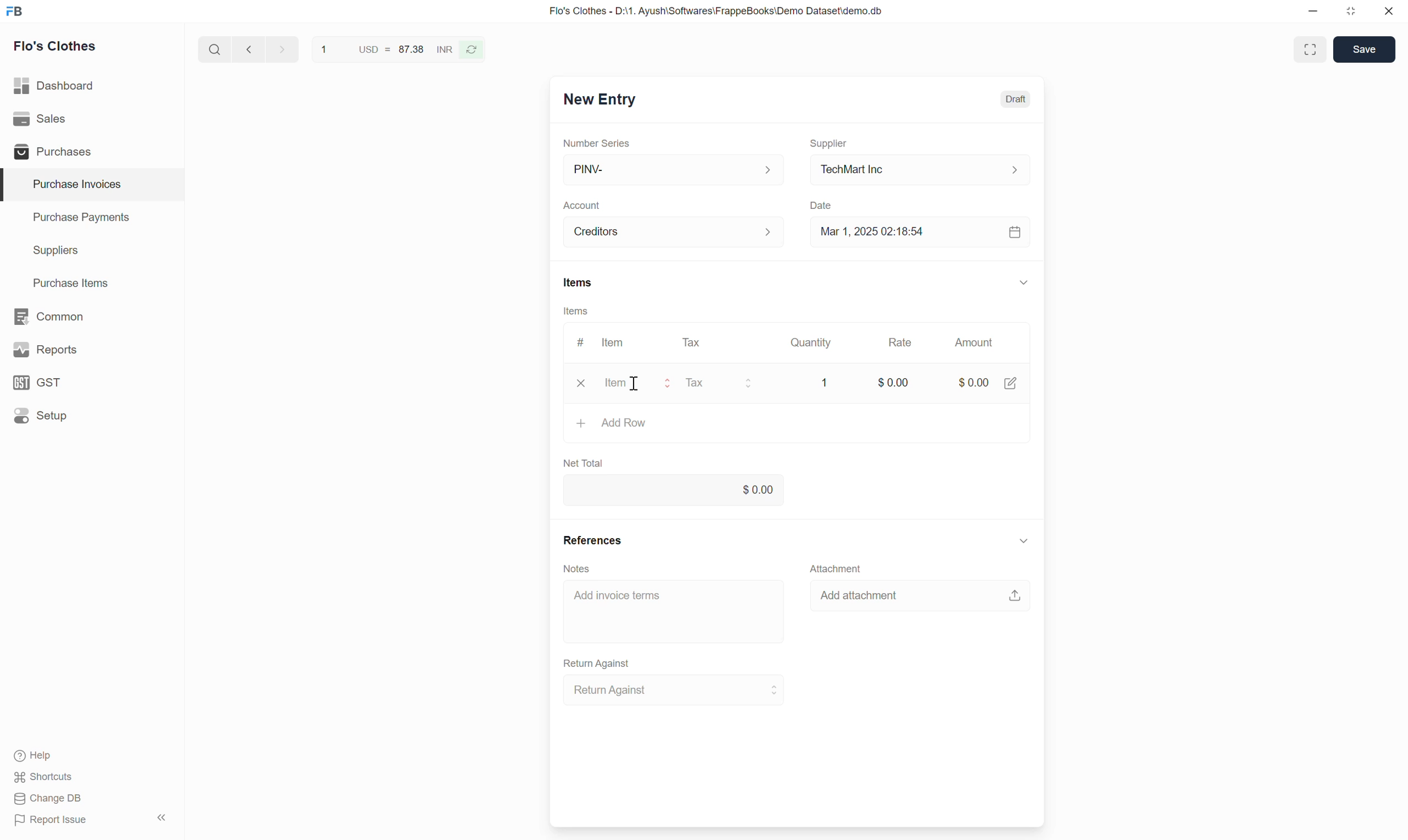  I want to click on Save, so click(1364, 49).